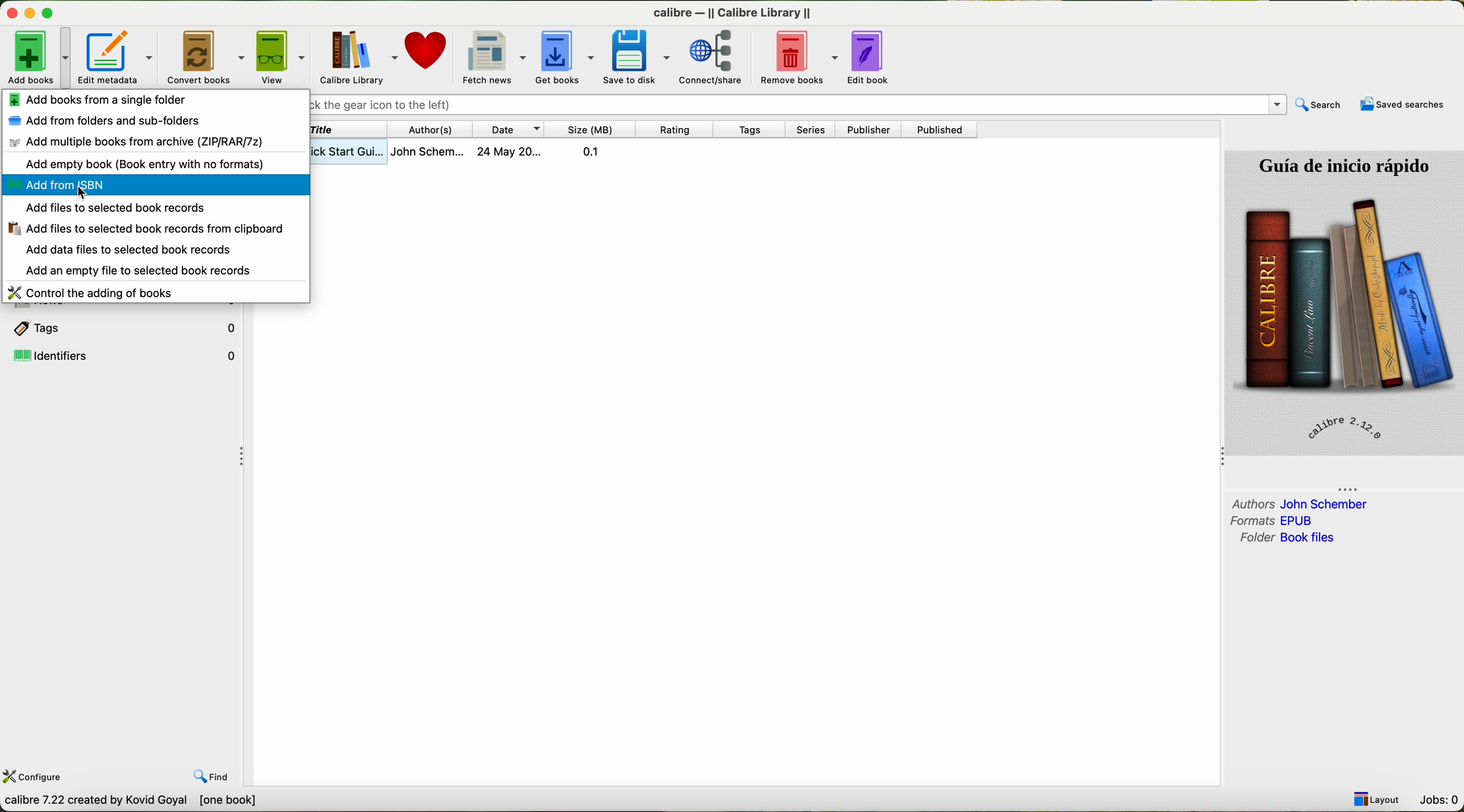 Image resolution: width=1464 pixels, height=812 pixels. I want to click on tags, so click(748, 131).